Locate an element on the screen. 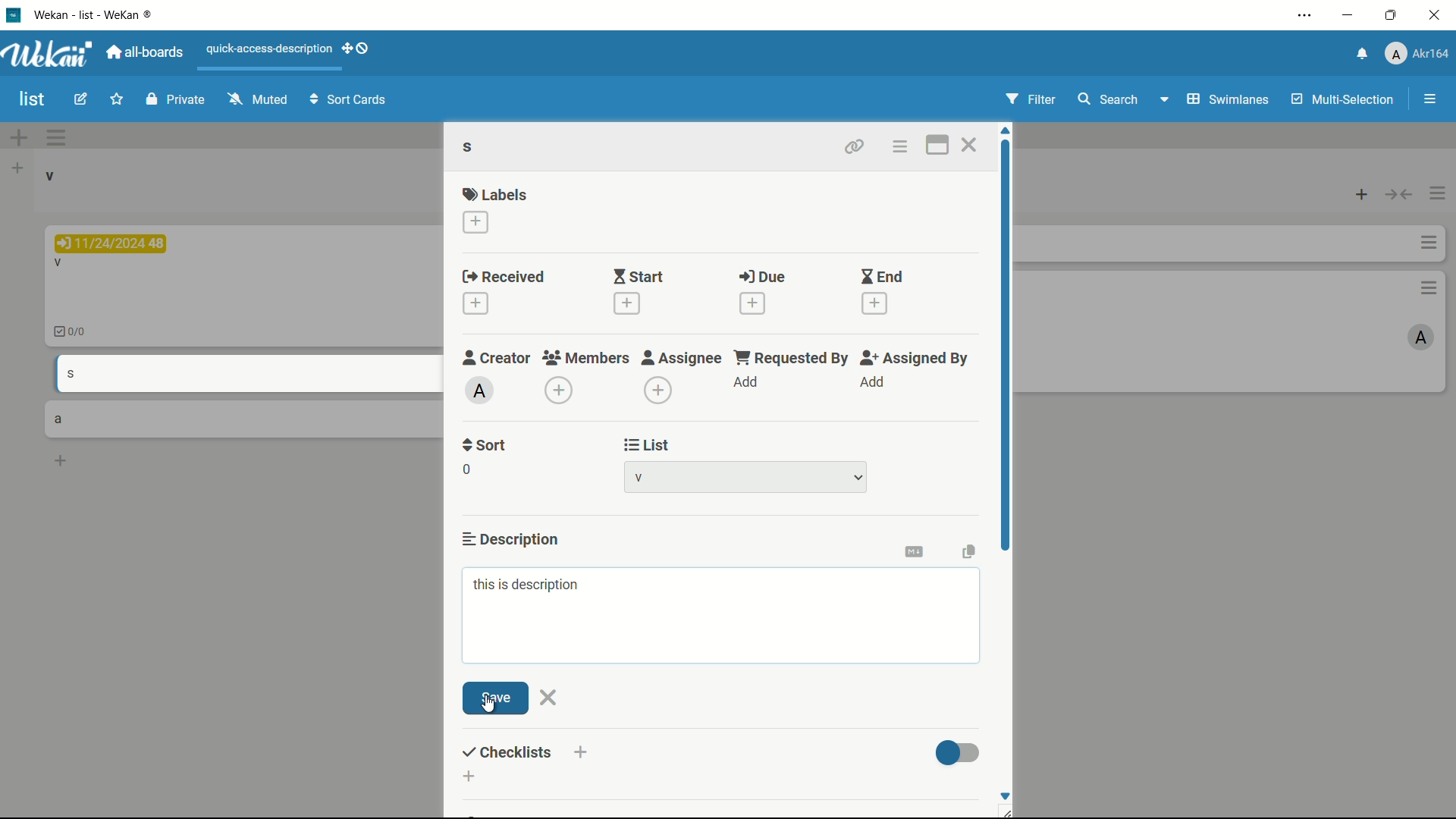 This screenshot has width=1456, height=819. maximize is located at coordinates (1391, 16).